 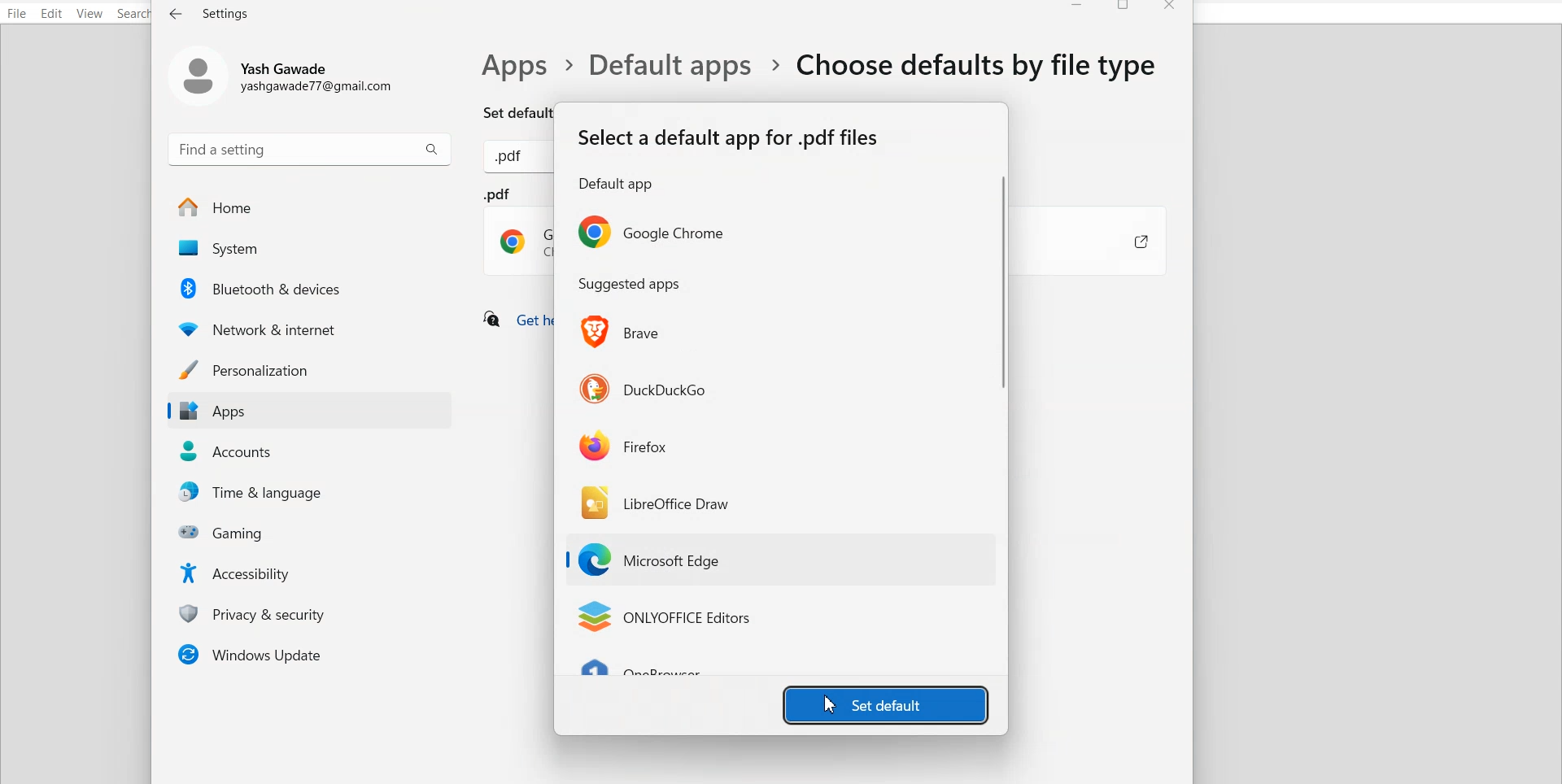 What do you see at coordinates (822, 66) in the screenshot?
I see `Text` at bounding box center [822, 66].